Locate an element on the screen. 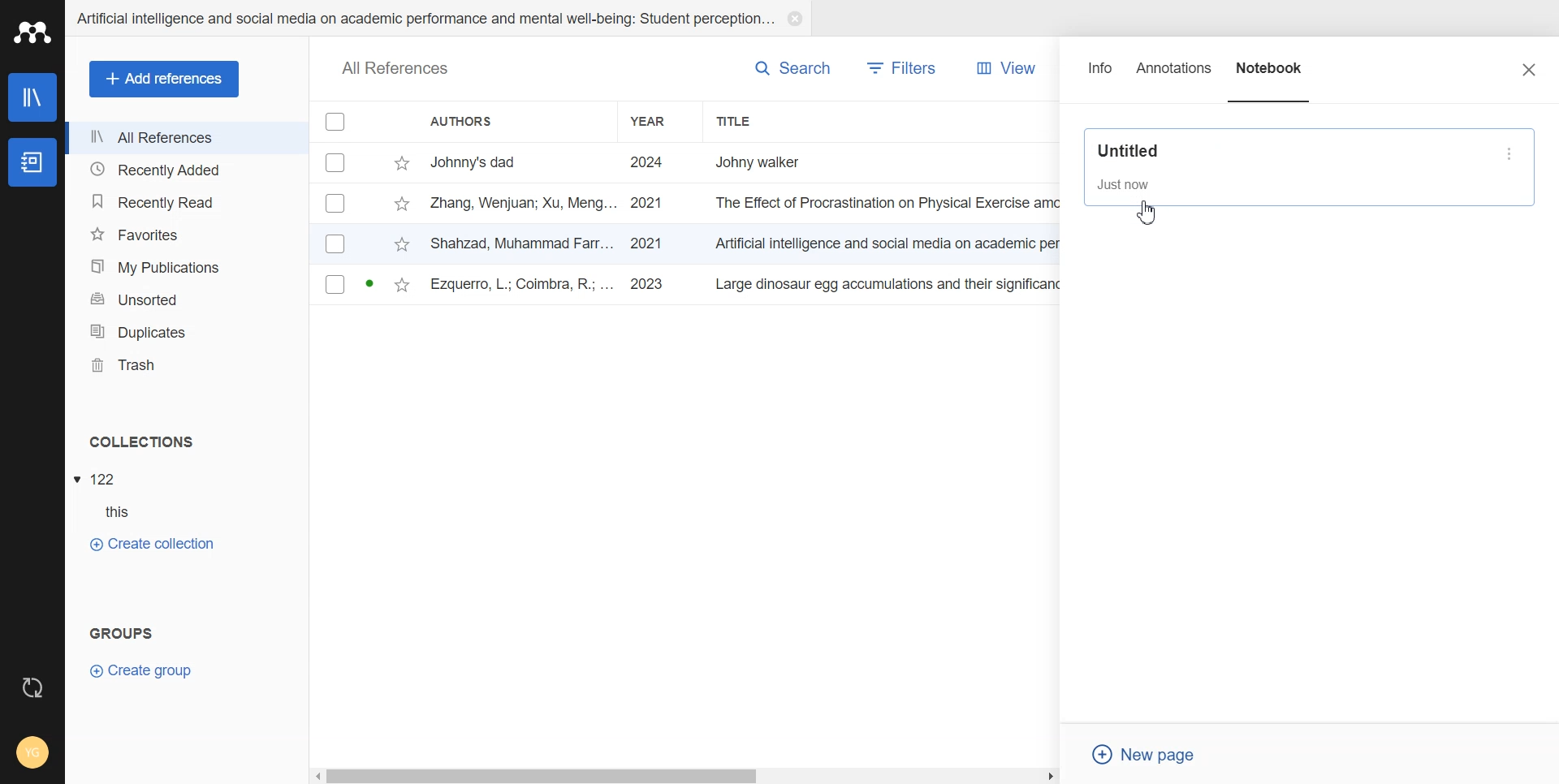 This screenshot has height=784, width=1559. Search is located at coordinates (792, 67).